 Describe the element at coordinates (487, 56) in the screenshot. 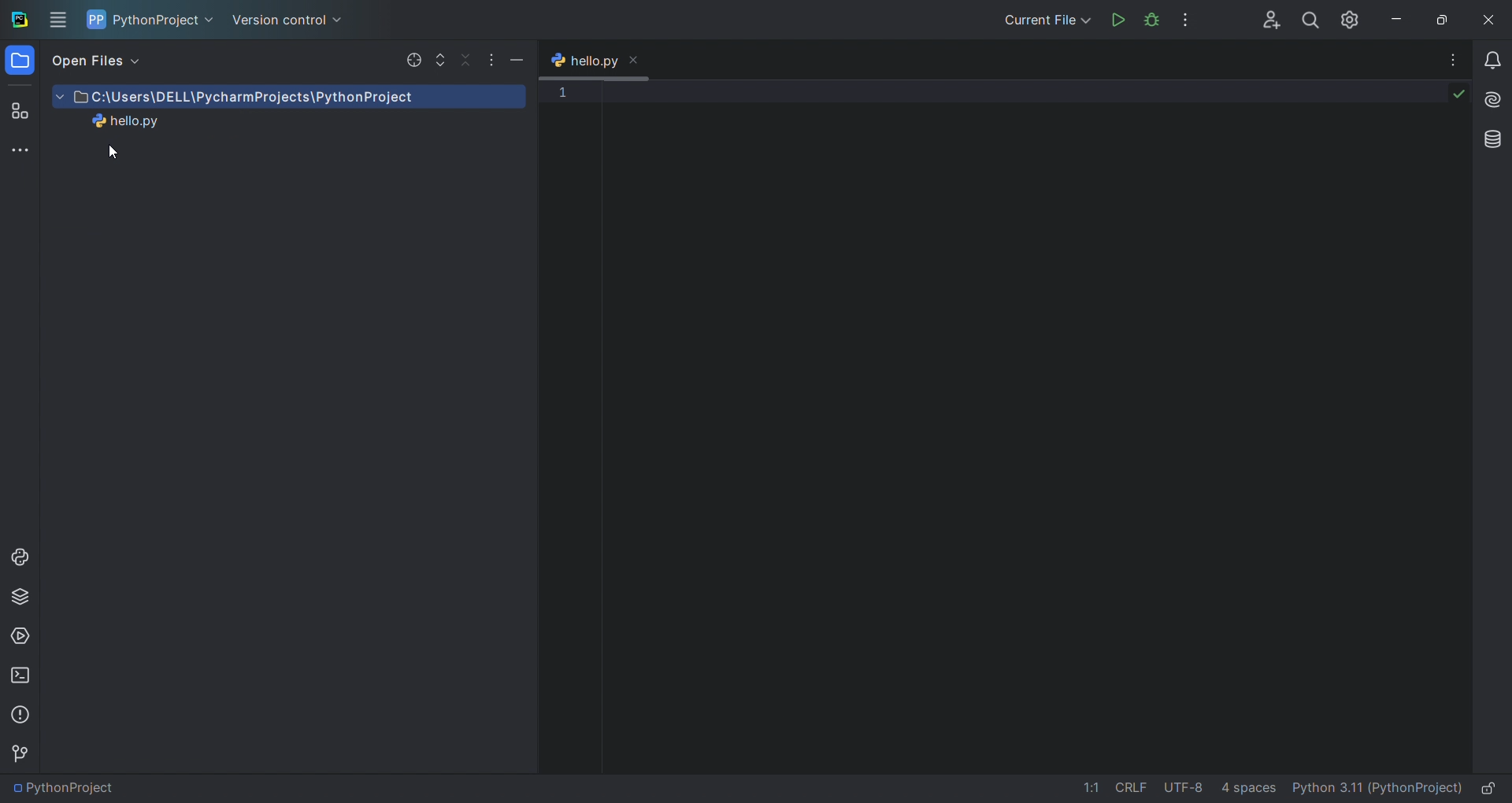

I see `options` at that location.